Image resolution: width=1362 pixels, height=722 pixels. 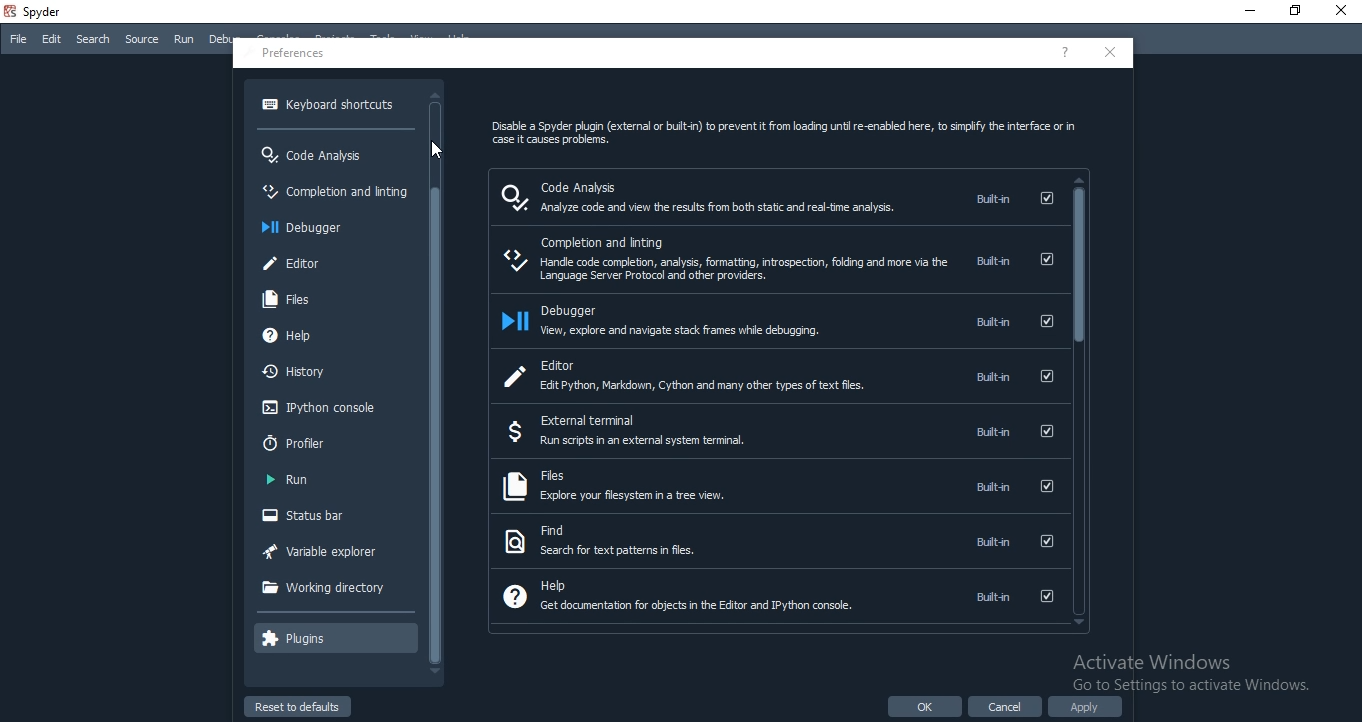 What do you see at coordinates (334, 191) in the screenshot?
I see `Completion and linting` at bounding box center [334, 191].